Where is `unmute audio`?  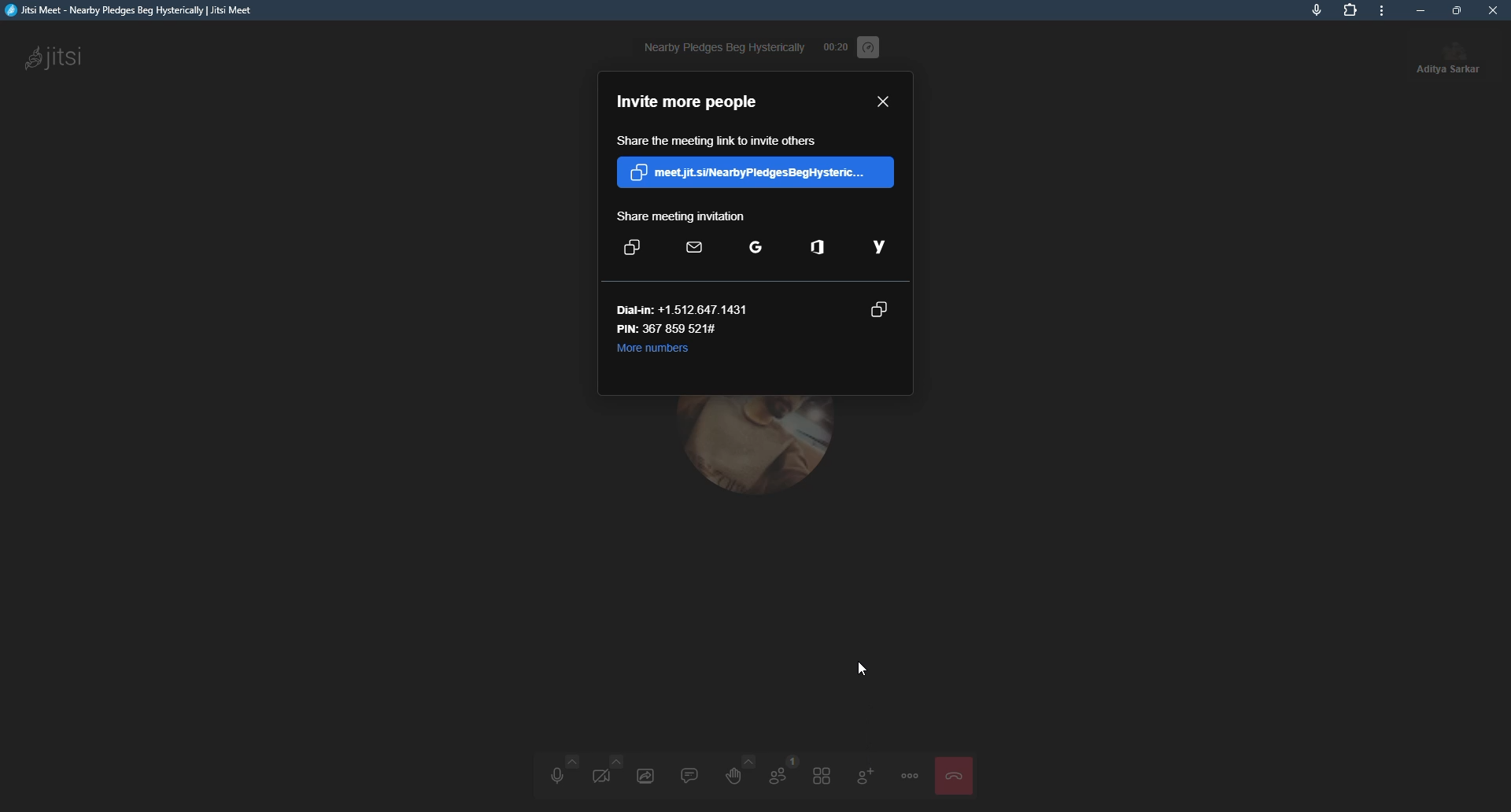 unmute audio is located at coordinates (561, 773).